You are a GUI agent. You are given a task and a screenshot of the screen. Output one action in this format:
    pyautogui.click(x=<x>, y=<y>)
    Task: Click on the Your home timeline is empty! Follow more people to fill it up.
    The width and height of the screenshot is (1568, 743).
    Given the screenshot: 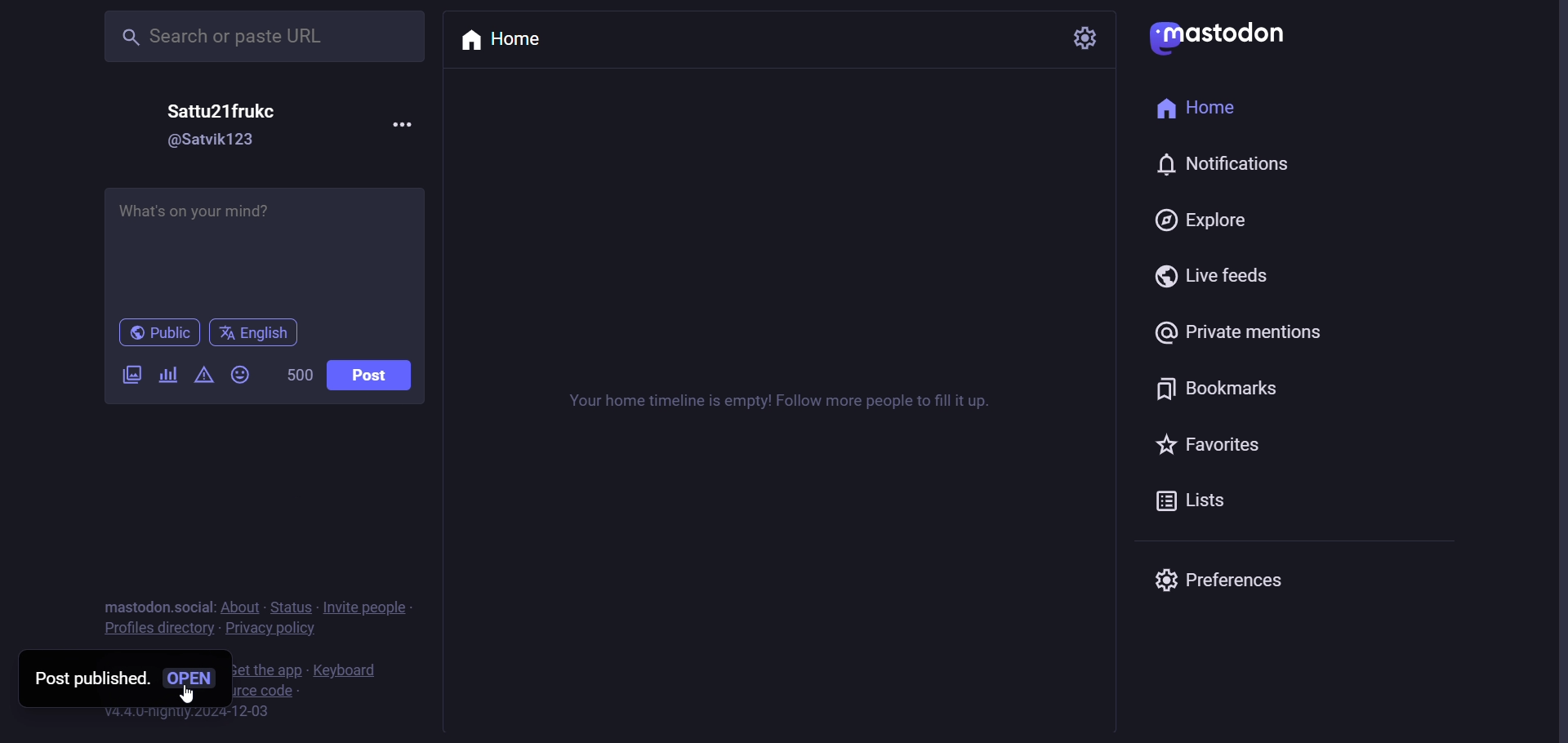 What is the action you would take?
    pyautogui.click(x=795, y=398)
    